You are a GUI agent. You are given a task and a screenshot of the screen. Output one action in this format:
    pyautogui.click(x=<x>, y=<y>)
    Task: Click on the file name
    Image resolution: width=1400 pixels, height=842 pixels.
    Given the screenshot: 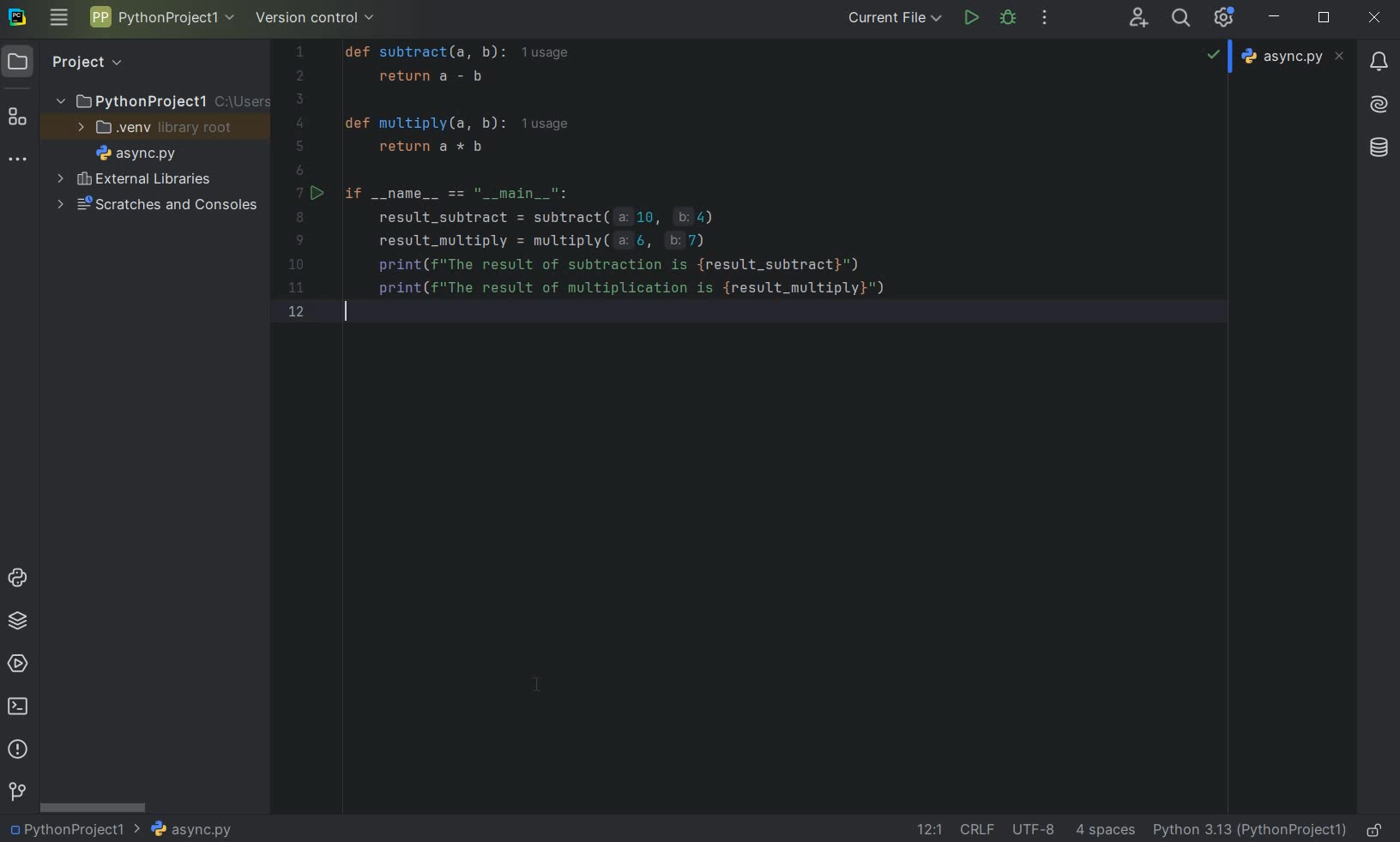 What is the action you would take?
    pyautogui.click(x=142, y=154)
    